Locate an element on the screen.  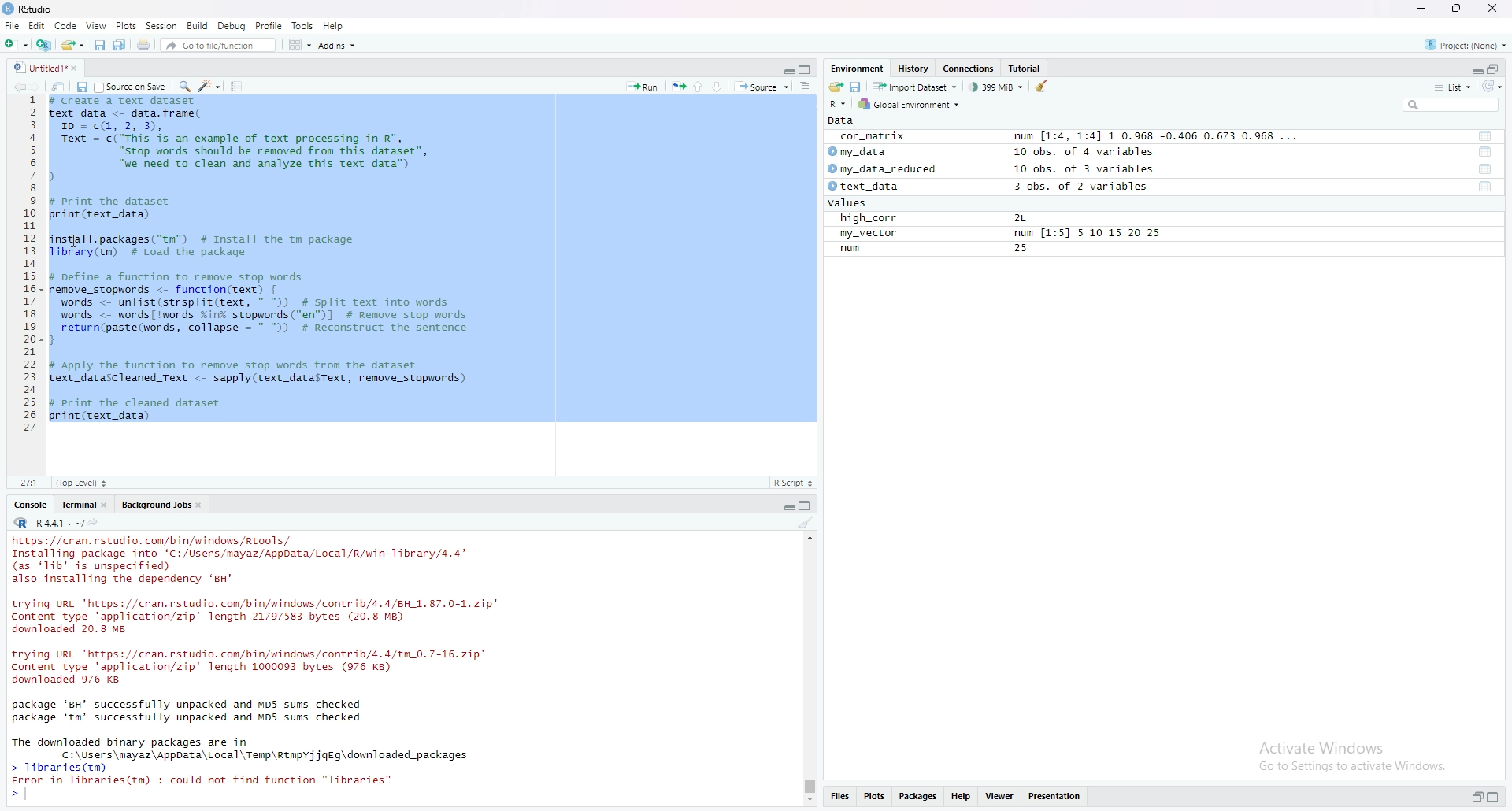
data is located at coordinates (842, 121).